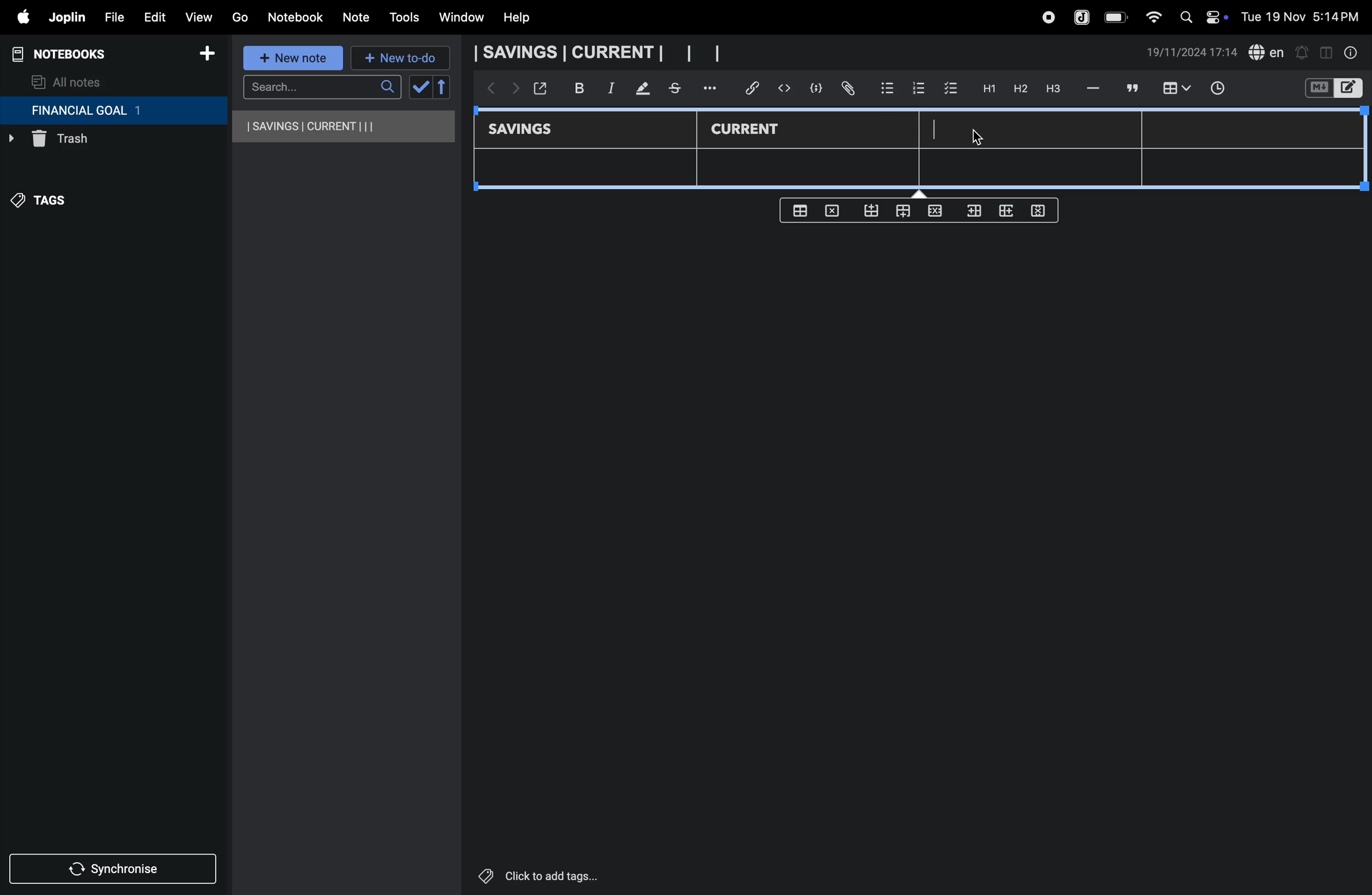 This screenshot has height=895, width=1372. I want to click on time, so click(1225, 89).